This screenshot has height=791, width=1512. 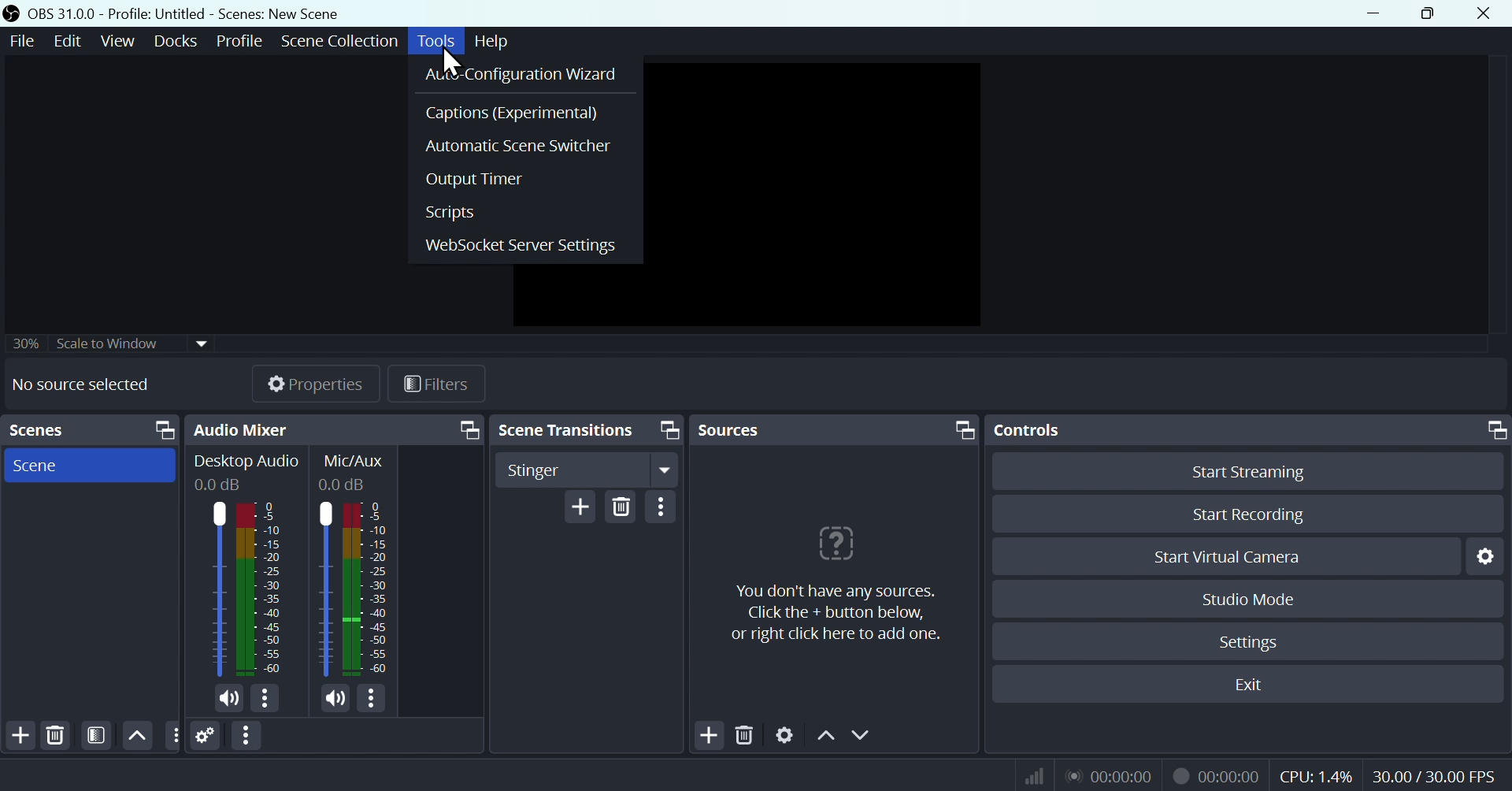 What do you see at coordinates (1215, 774) in the screenshot?
I see `Video recorder` at bounding box center [1215, 774].